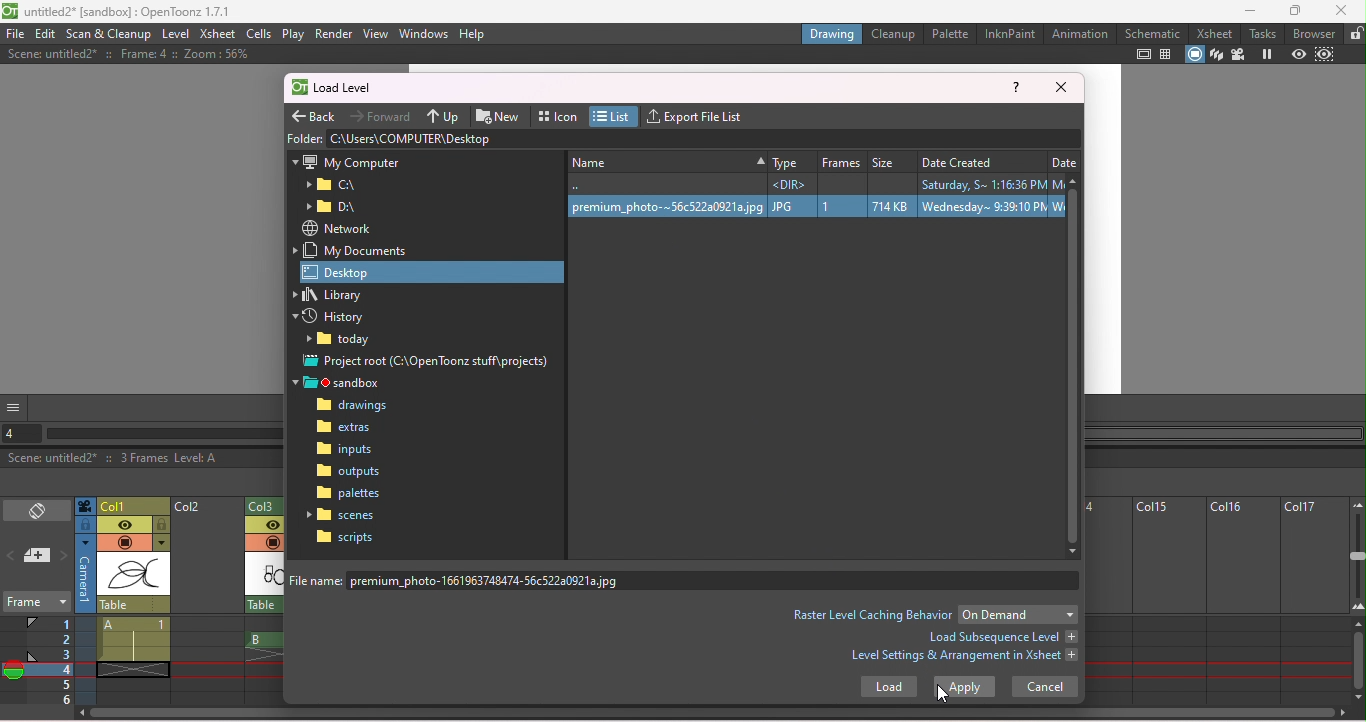  Describe the element at coordinates (1315, 33) in the screenshot. I see `Browser` at that location.